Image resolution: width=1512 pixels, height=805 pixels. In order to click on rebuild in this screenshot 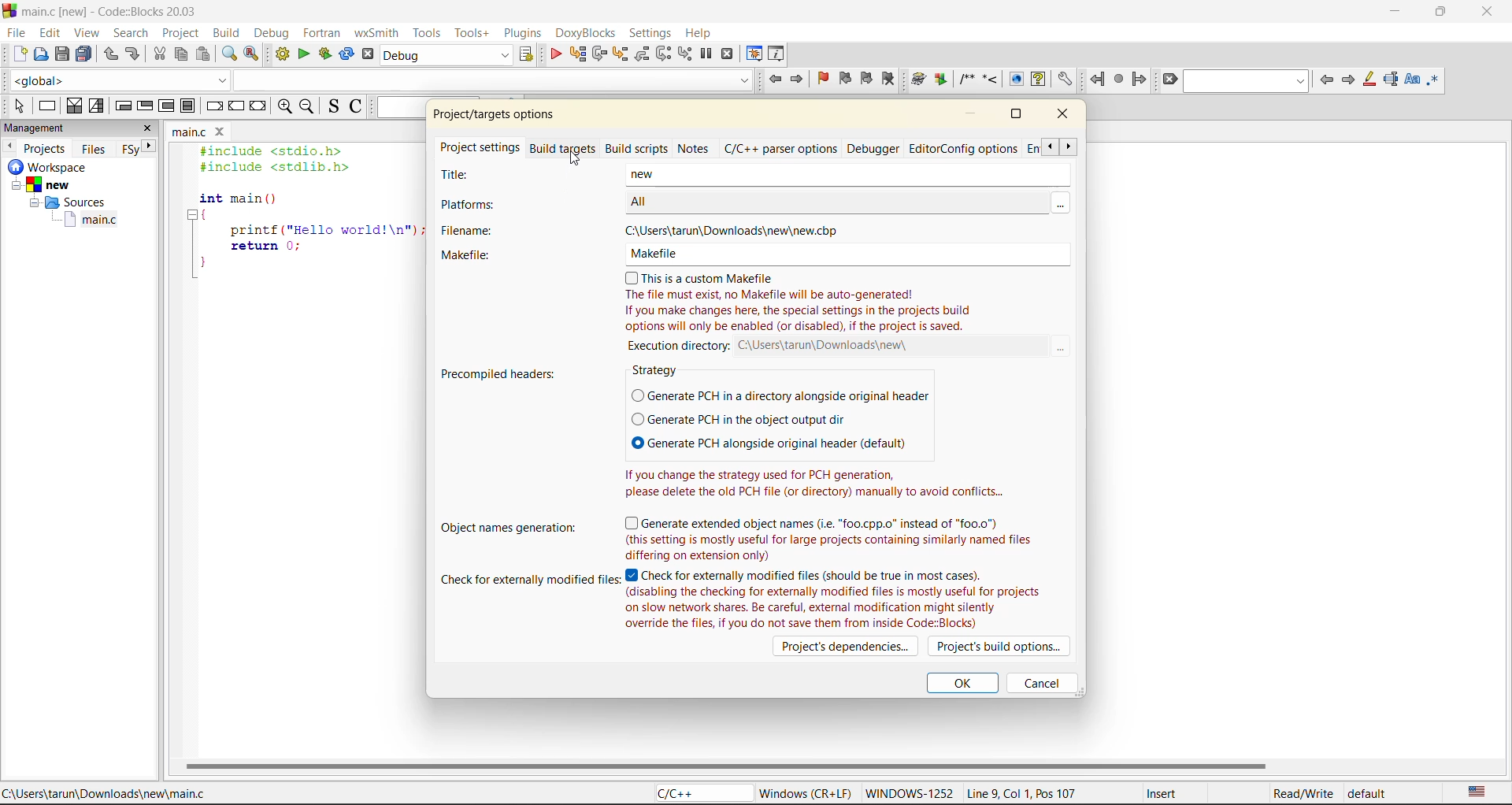, I will do `click(345, 54)`.